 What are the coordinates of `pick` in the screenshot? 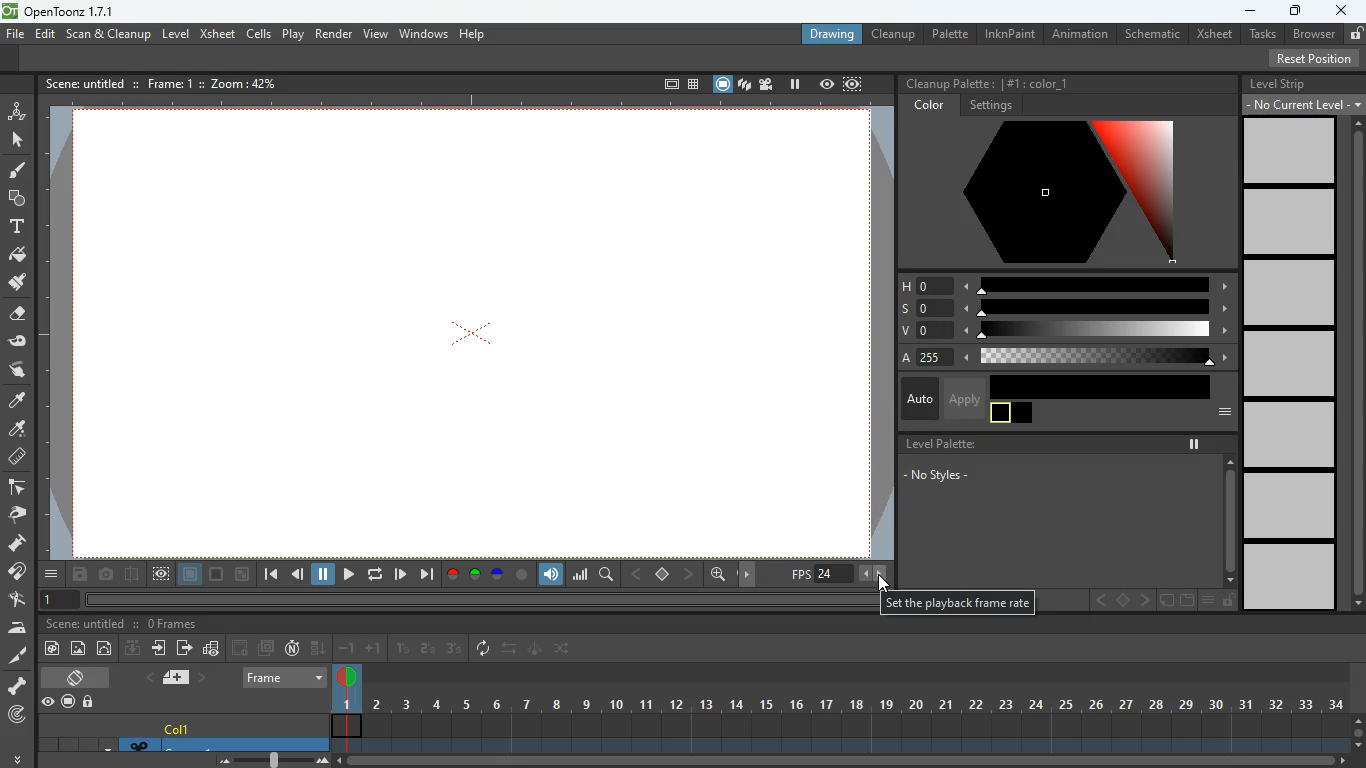 It's located at (15, 517).